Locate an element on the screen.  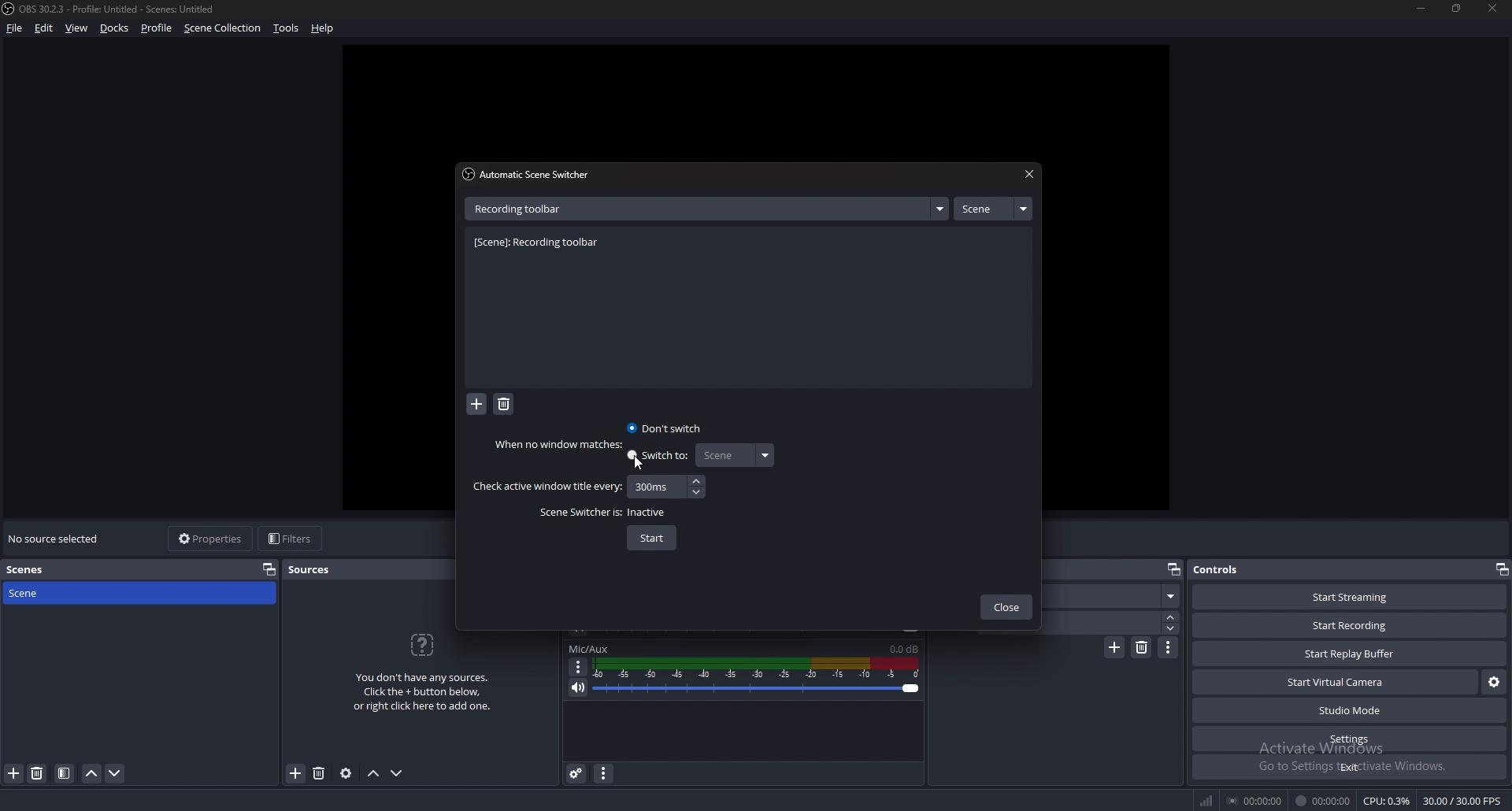
add is located at coordinates (477, 405).